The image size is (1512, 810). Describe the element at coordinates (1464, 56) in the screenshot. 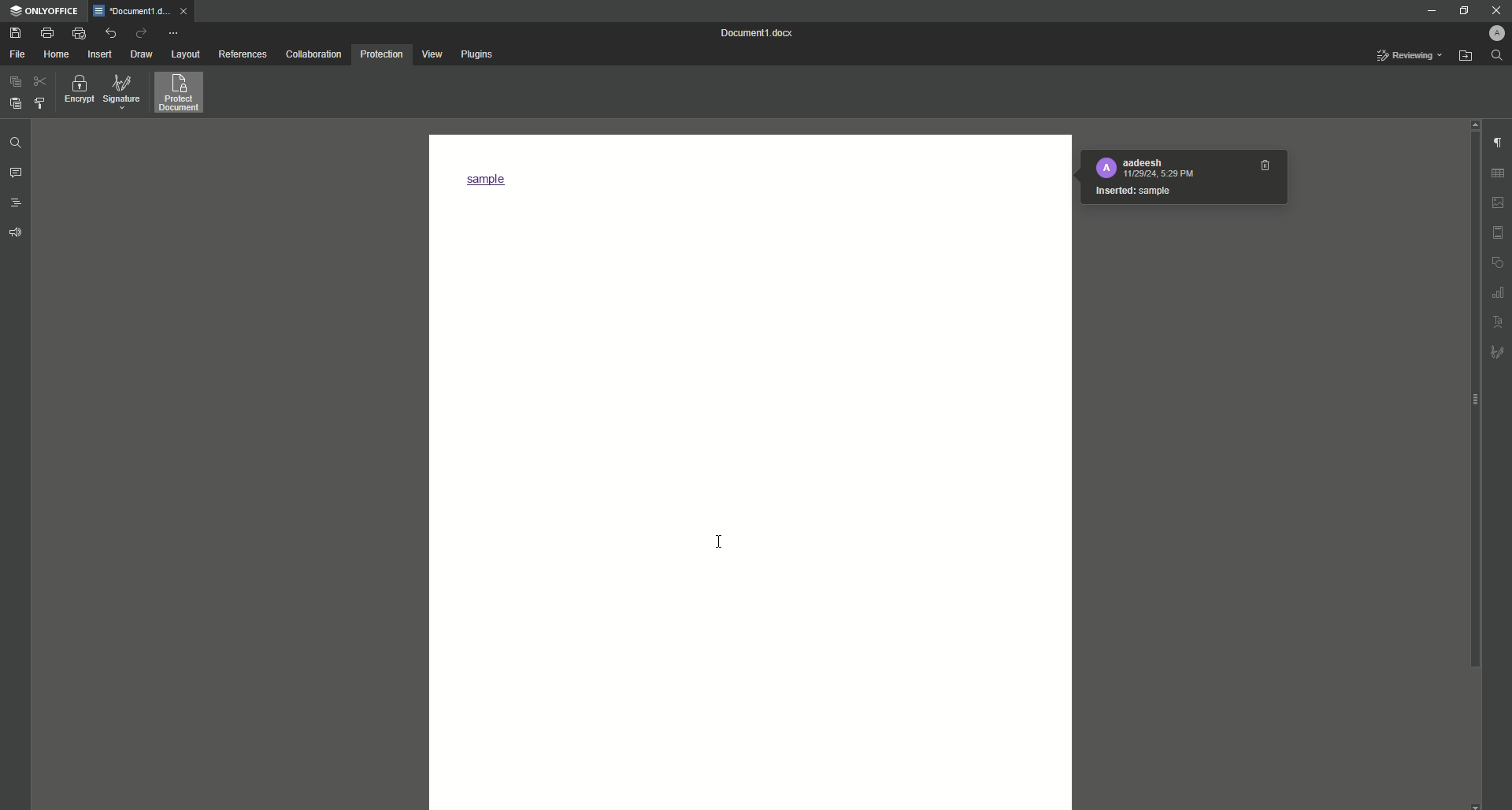

I see `Open From File` at that location.